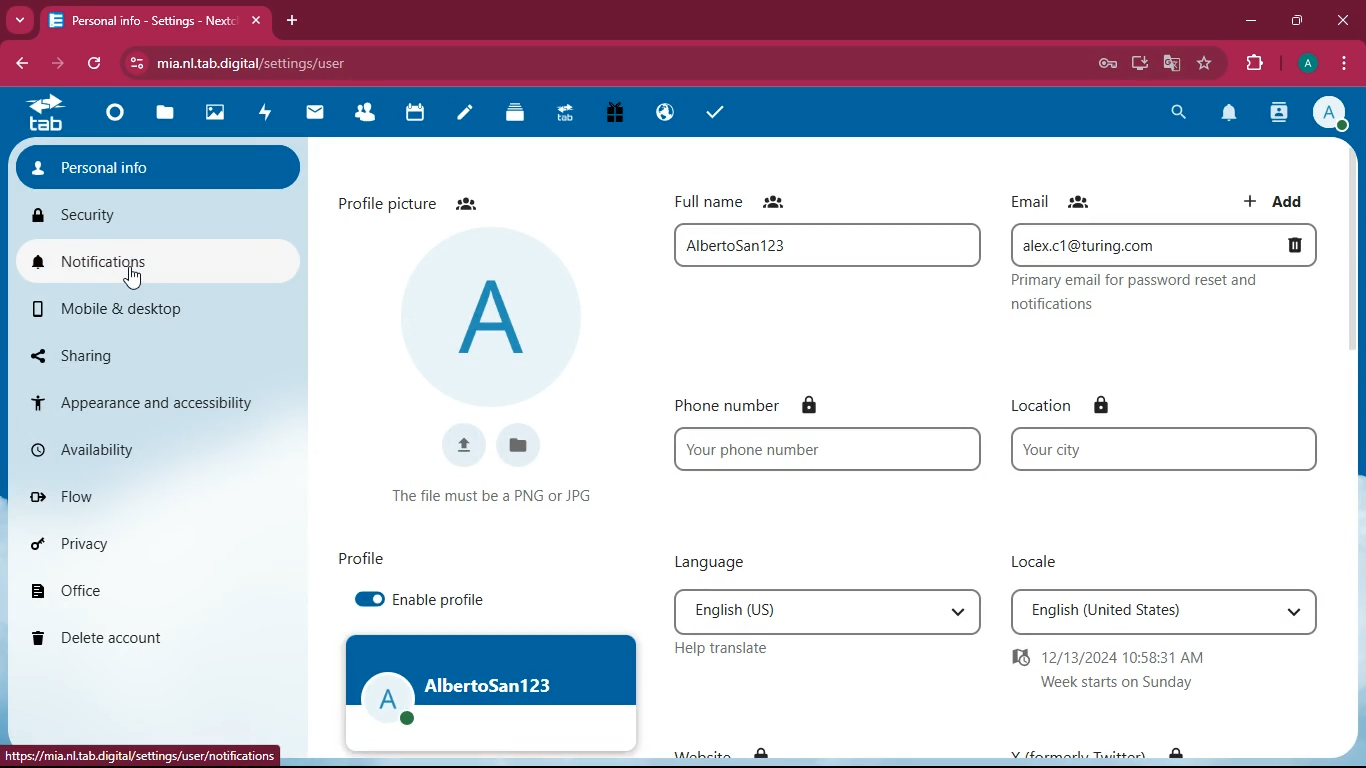 This screenshot has width=1366, height=768. Describe the element at coordinates (1037, 559) in the screenshot. I see `locale` at that location.